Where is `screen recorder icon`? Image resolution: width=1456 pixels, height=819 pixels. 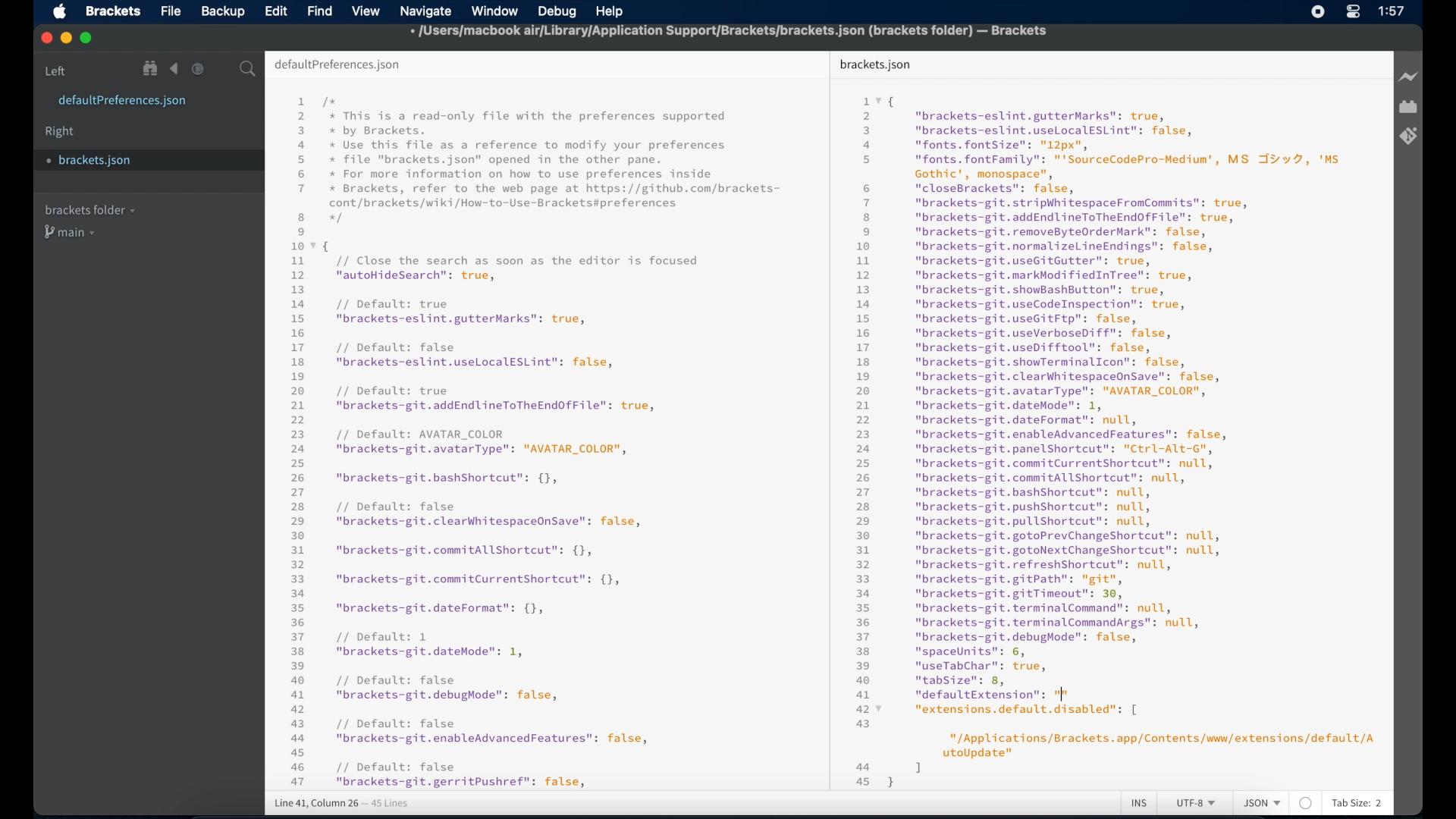
screen recorder icon is located at coordinates (1319, 11).